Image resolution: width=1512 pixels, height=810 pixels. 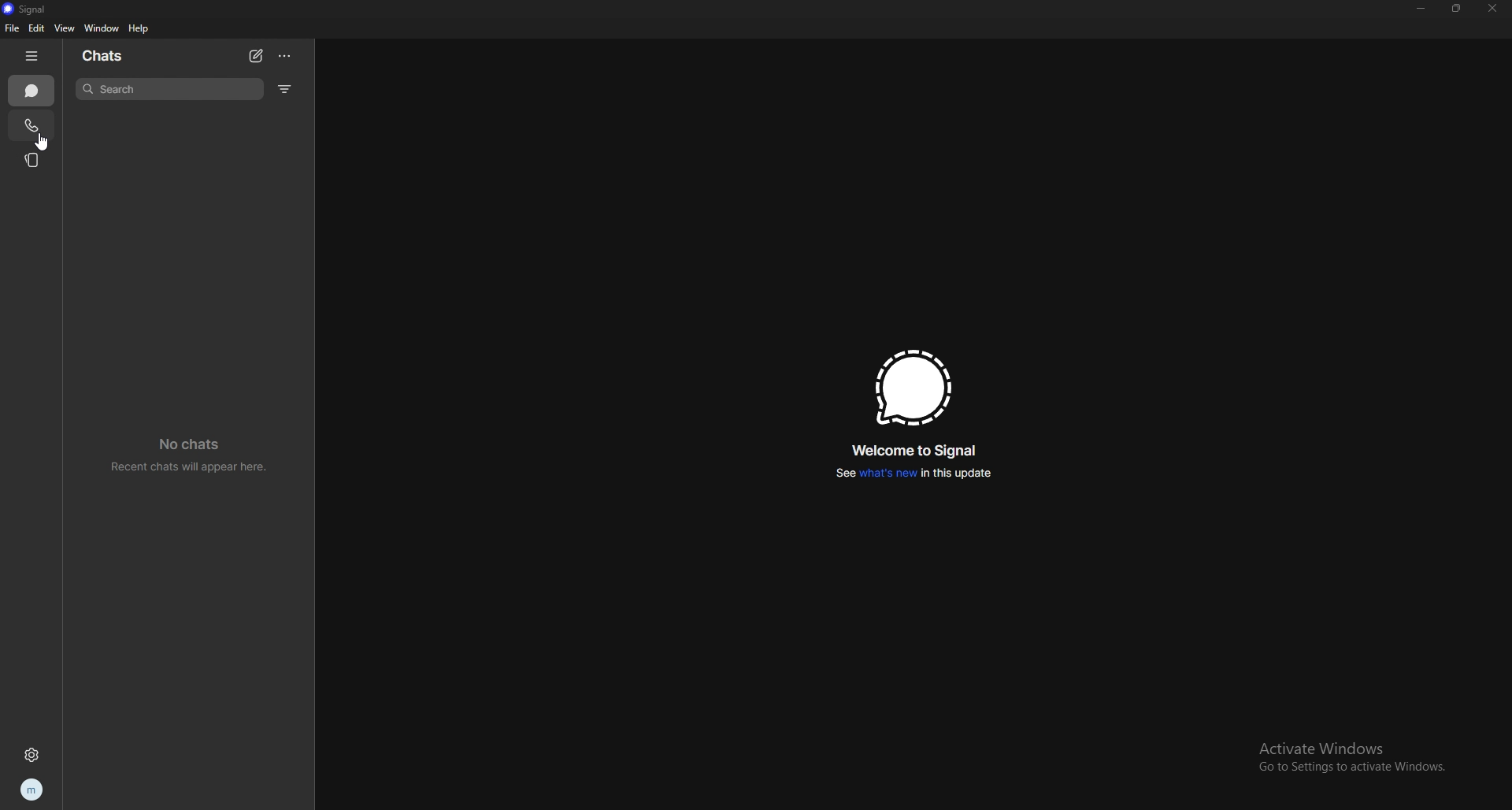 What do you see at coordinates (33, 159) in the screenshot?
I see `stories` at bounding box center [33, 159].